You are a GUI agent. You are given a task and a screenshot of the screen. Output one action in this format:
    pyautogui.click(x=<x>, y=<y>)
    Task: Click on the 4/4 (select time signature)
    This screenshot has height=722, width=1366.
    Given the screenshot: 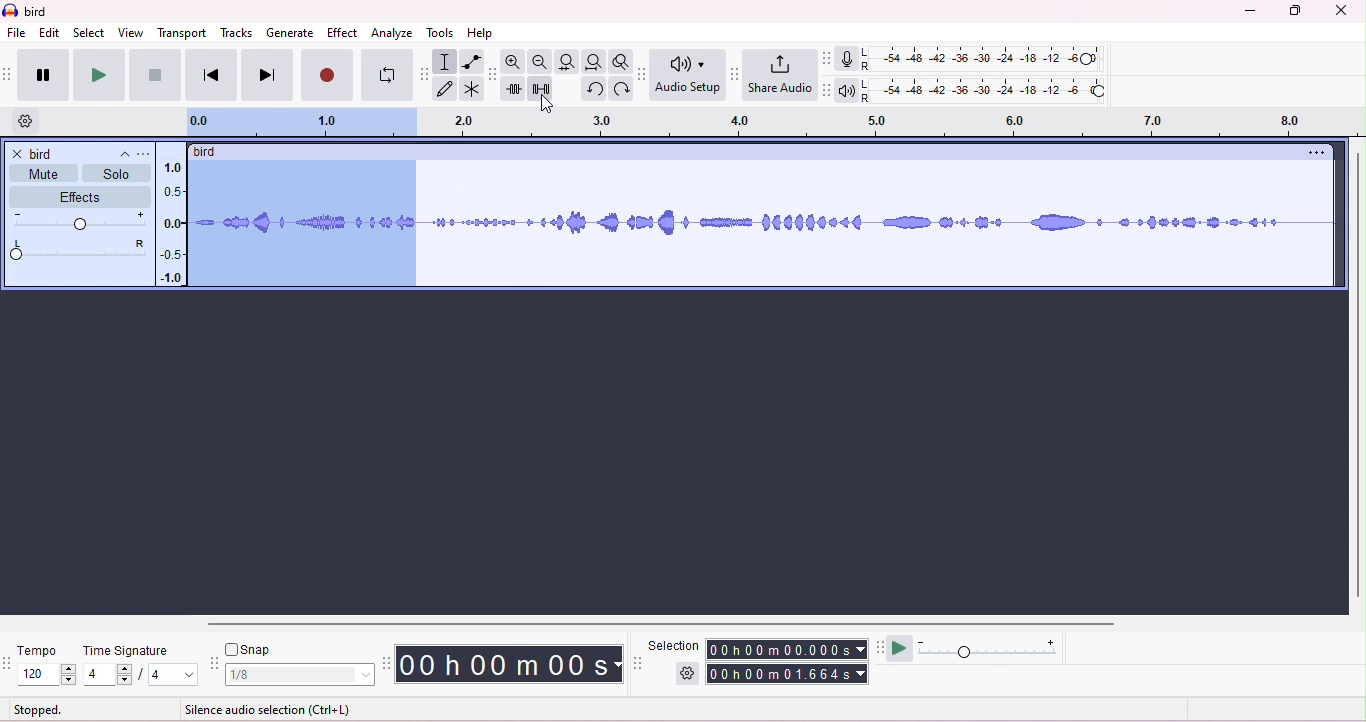 What is the action you would take?
    pyautogui.click(x=140, y=676)
    